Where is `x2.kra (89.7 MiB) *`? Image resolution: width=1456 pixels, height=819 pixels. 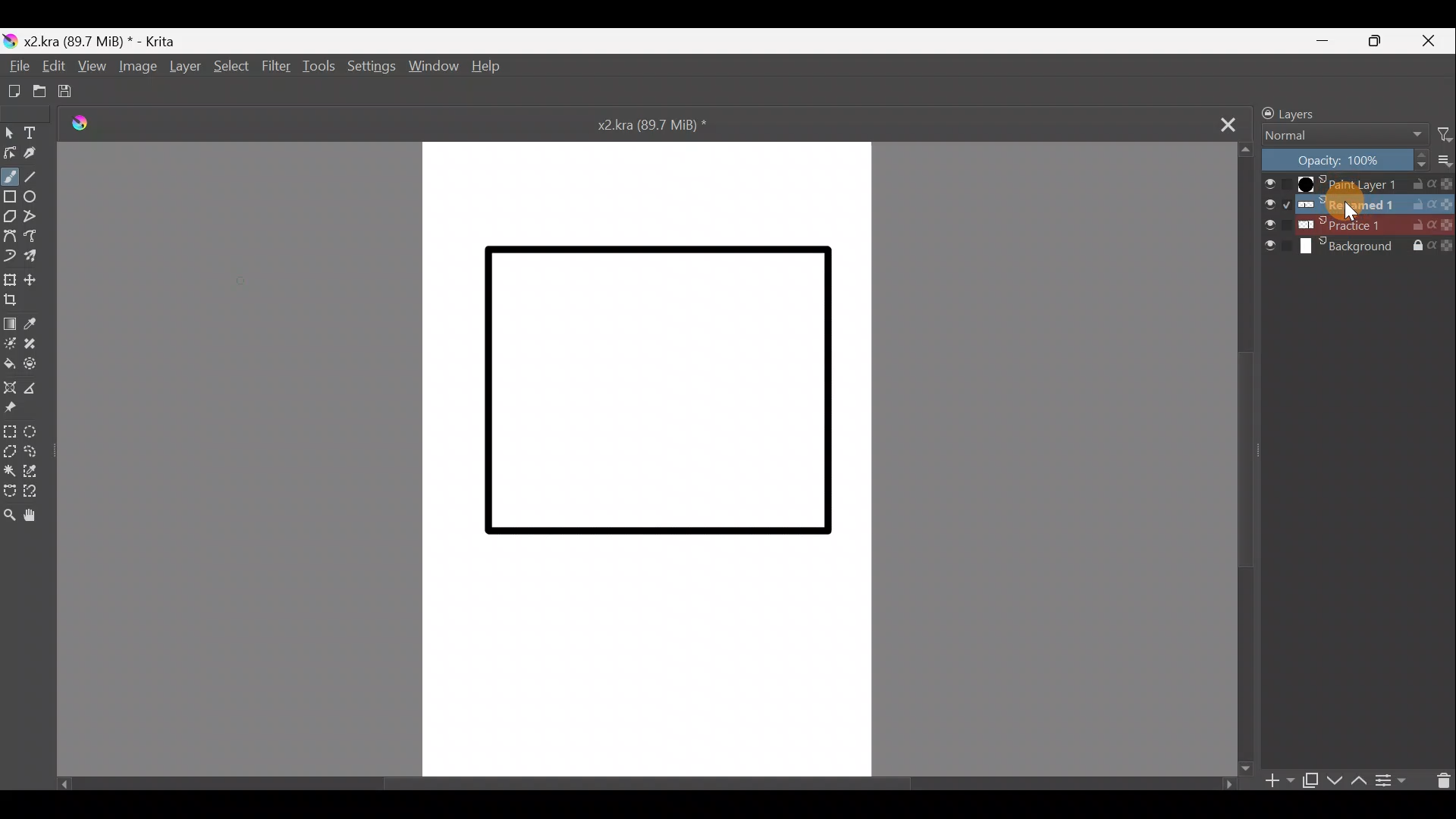
x2.kra (89.7 MiB) * is located at coordinates (102, 40).